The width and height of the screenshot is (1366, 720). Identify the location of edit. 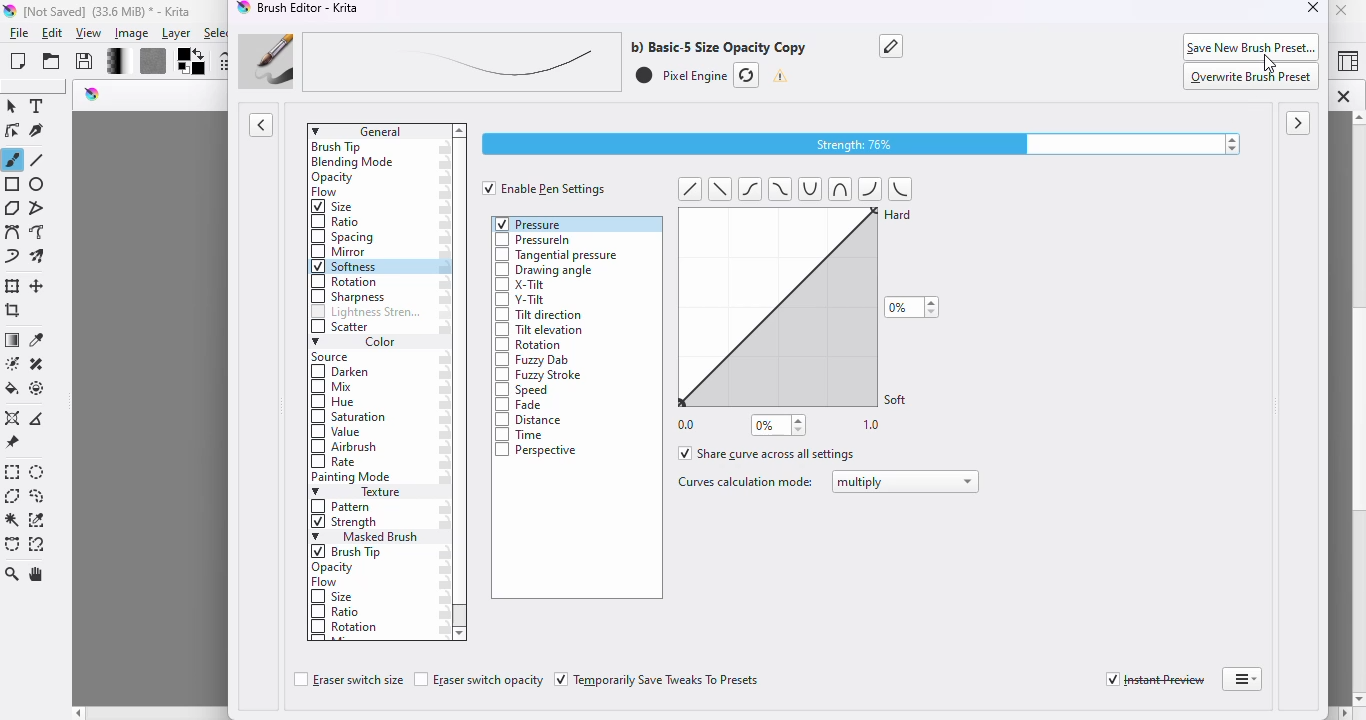
(54, 33).